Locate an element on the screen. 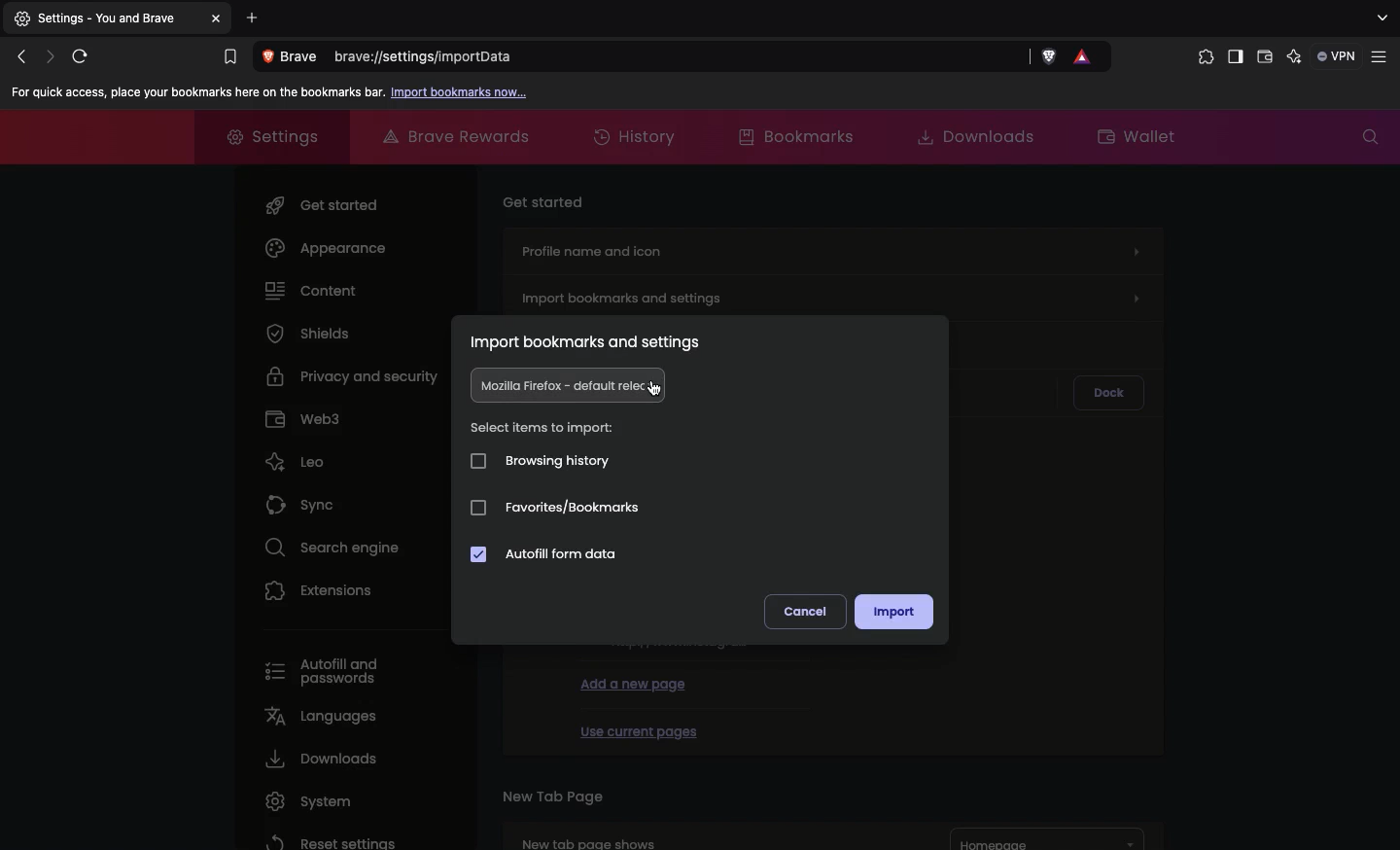 The height and width of the screenshot is (850, 1400). Downloads is located at coordinates (318, 759).